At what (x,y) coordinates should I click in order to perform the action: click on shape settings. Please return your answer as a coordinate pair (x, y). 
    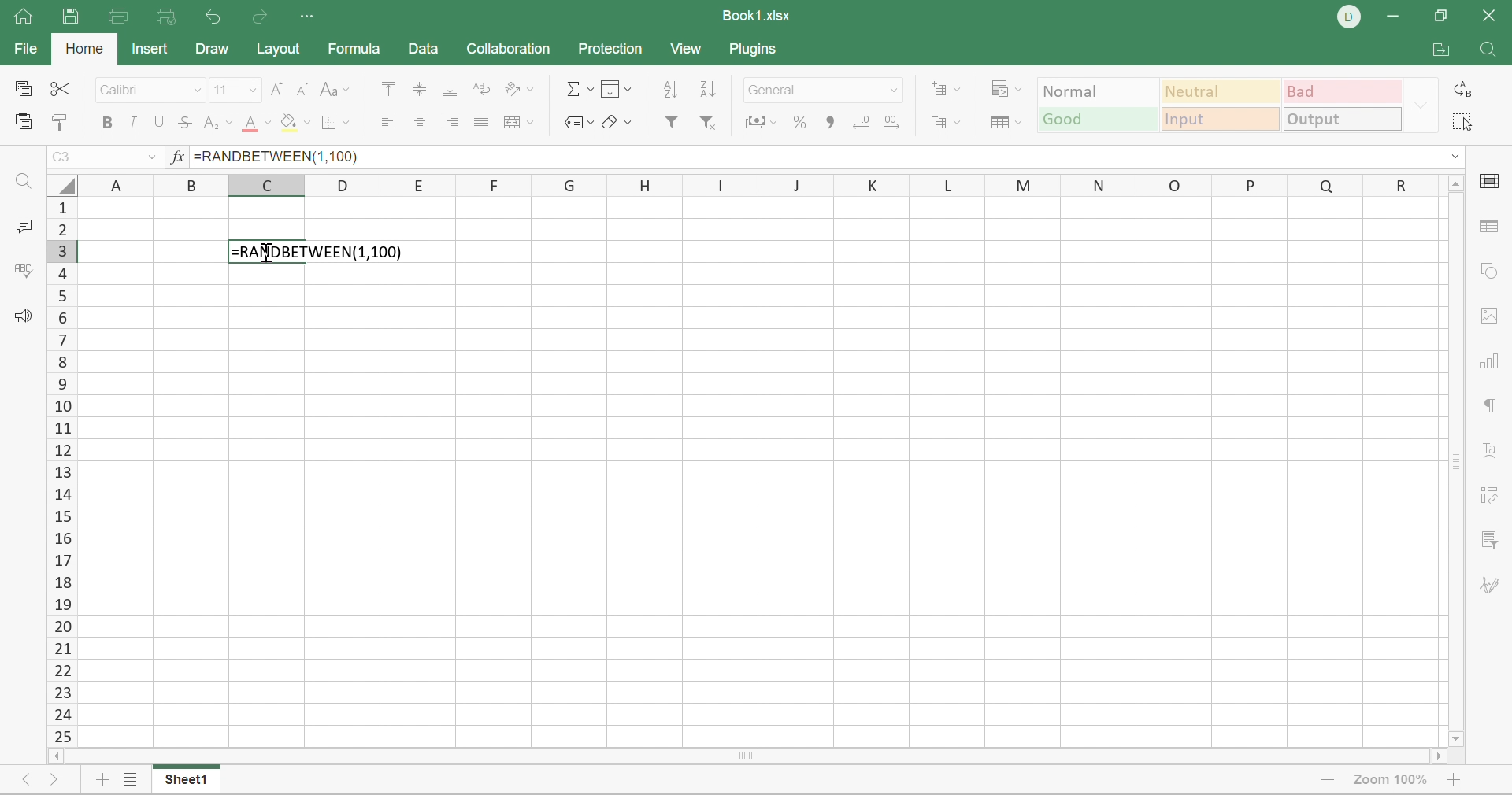
    Looking at the image, I should click on (1492, 272).